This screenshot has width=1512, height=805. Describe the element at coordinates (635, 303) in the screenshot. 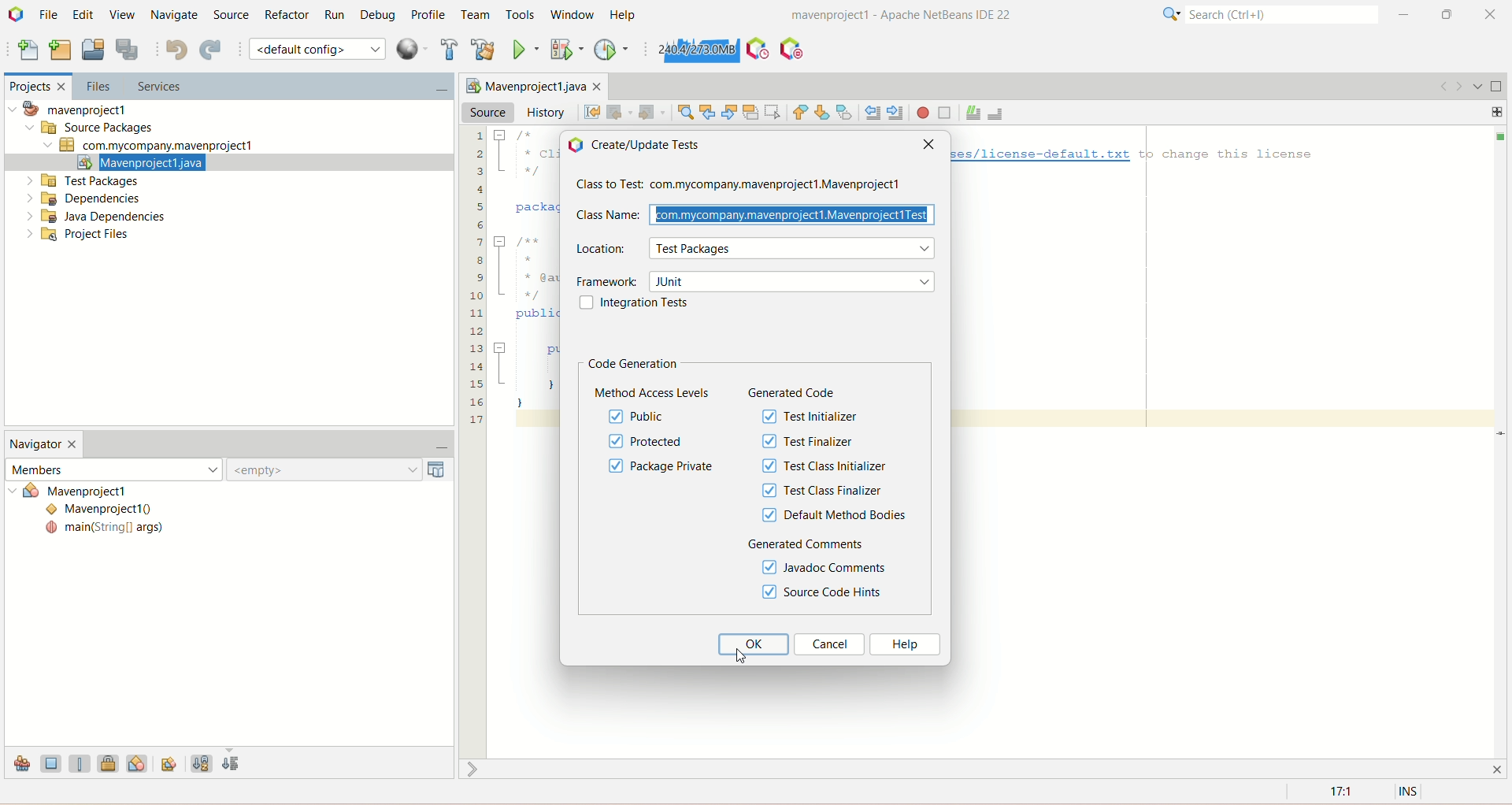

I see `integration tests` at that location.